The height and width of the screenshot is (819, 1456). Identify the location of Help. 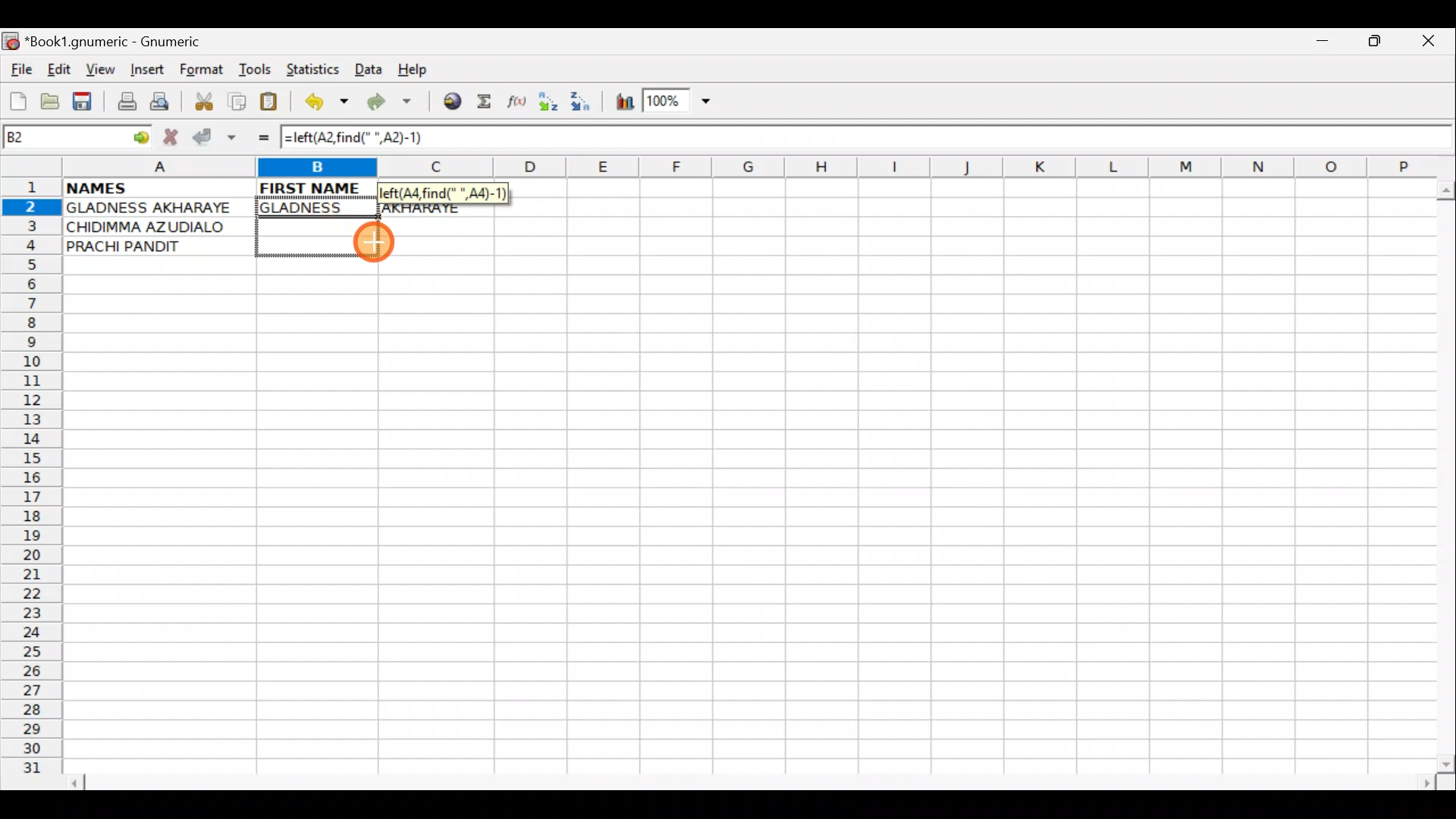
(413, 70).